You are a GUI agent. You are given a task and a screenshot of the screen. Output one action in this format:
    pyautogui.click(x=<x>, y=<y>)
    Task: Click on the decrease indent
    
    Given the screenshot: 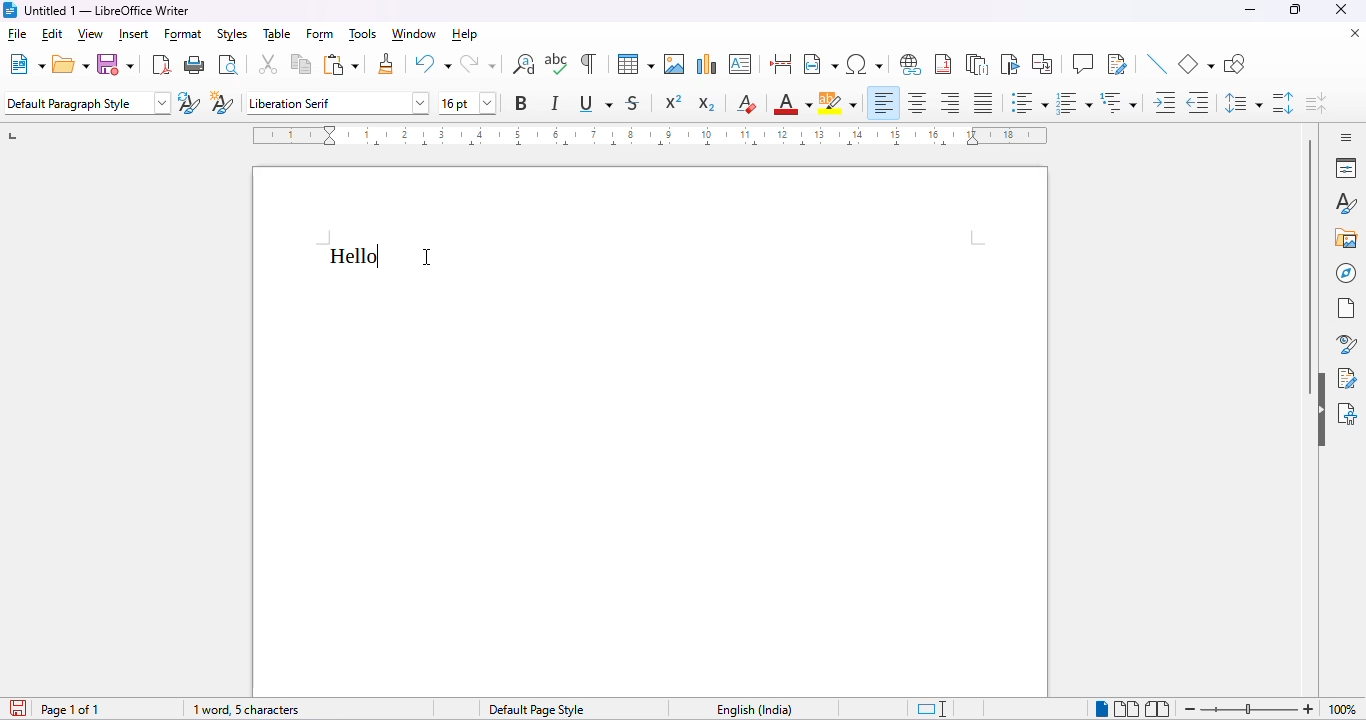 What is the action you would take?
    pyautogui.click(x=1198, y=103)
    